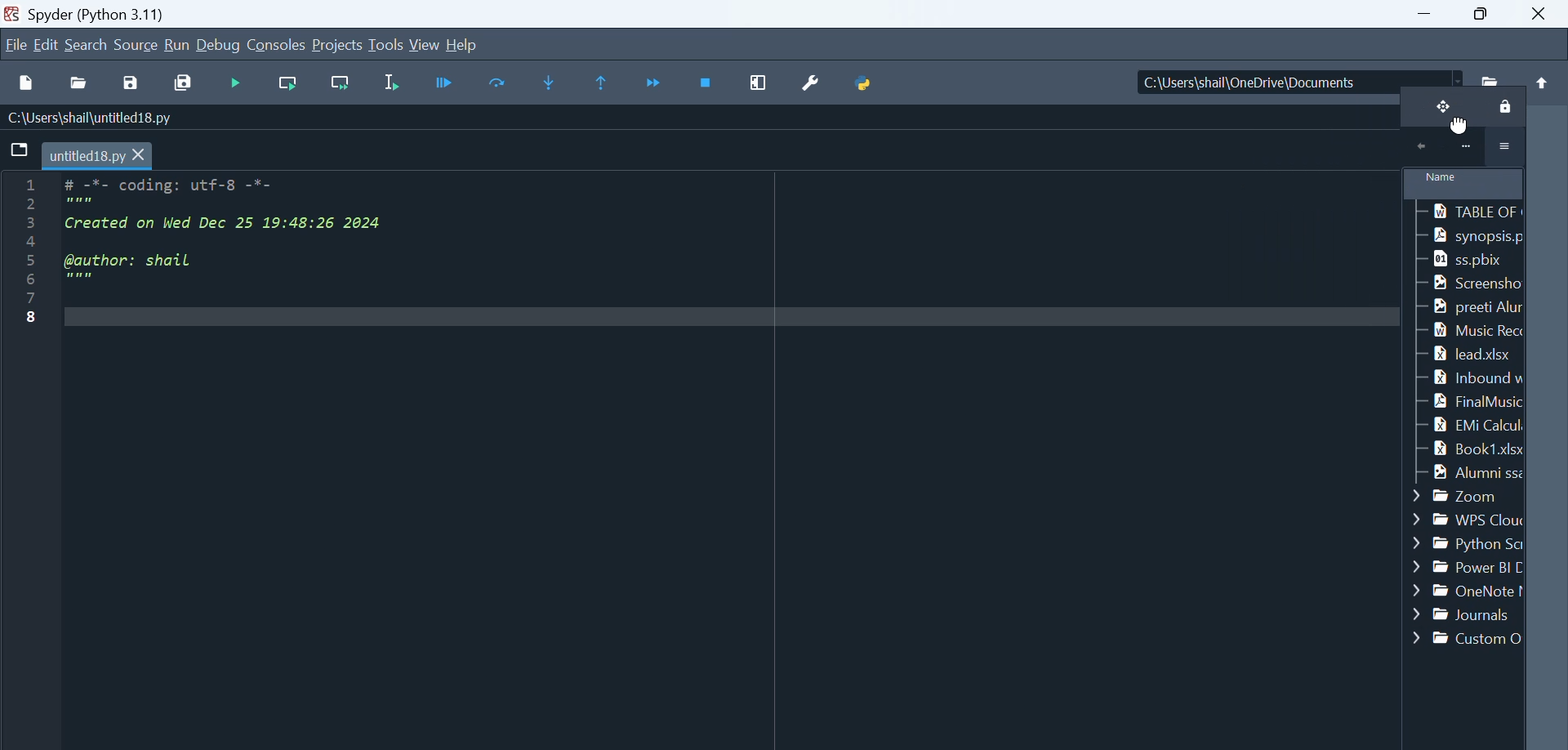  What do you see at coordinates (99, 154) in the screenshot?
I see `untitled18.py` at bounding box center [99, 154].